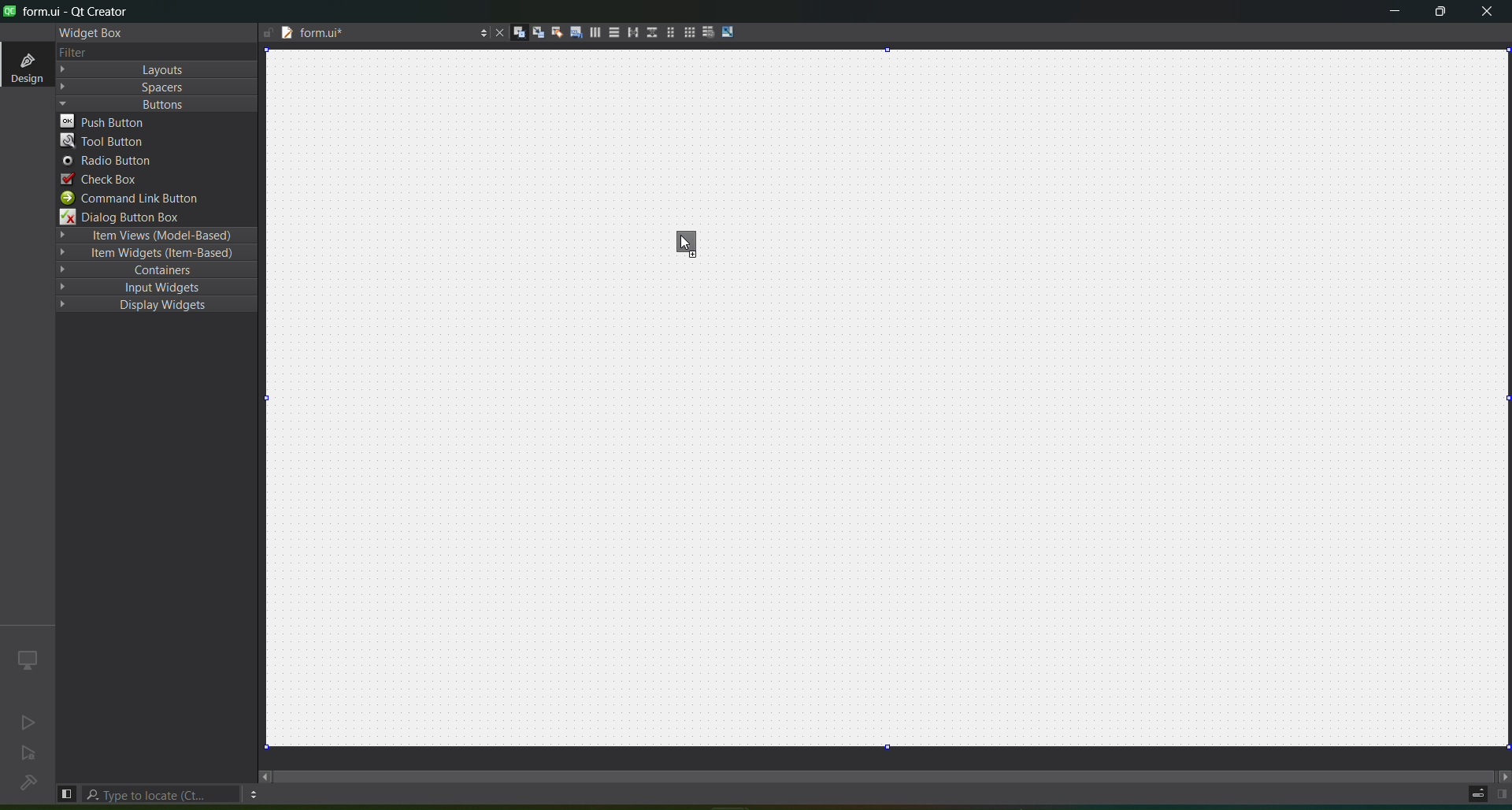 The image size is (1512, 810). I want to click on Layout, so click(158, 69).